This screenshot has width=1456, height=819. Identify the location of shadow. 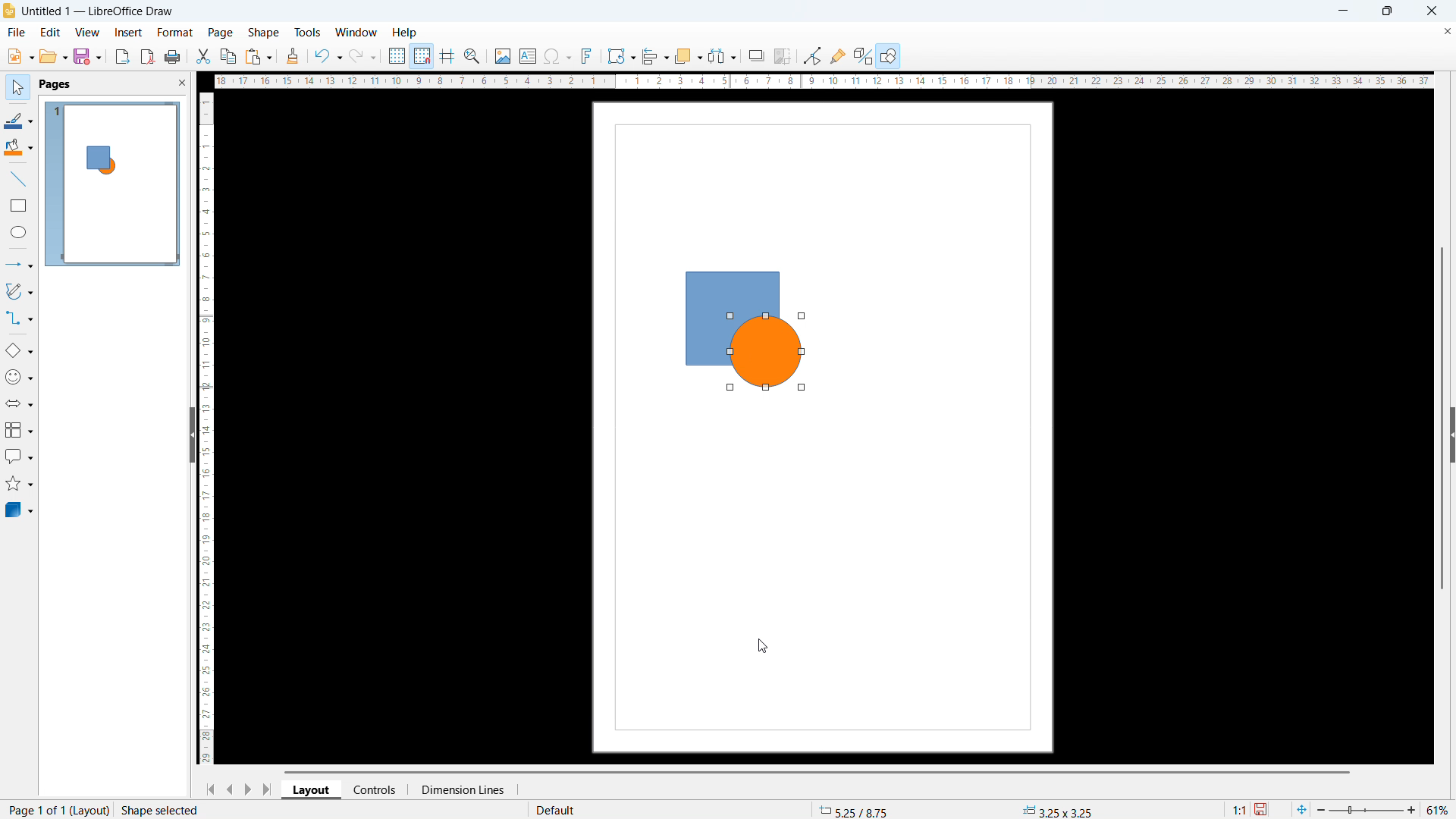
(756, 55).